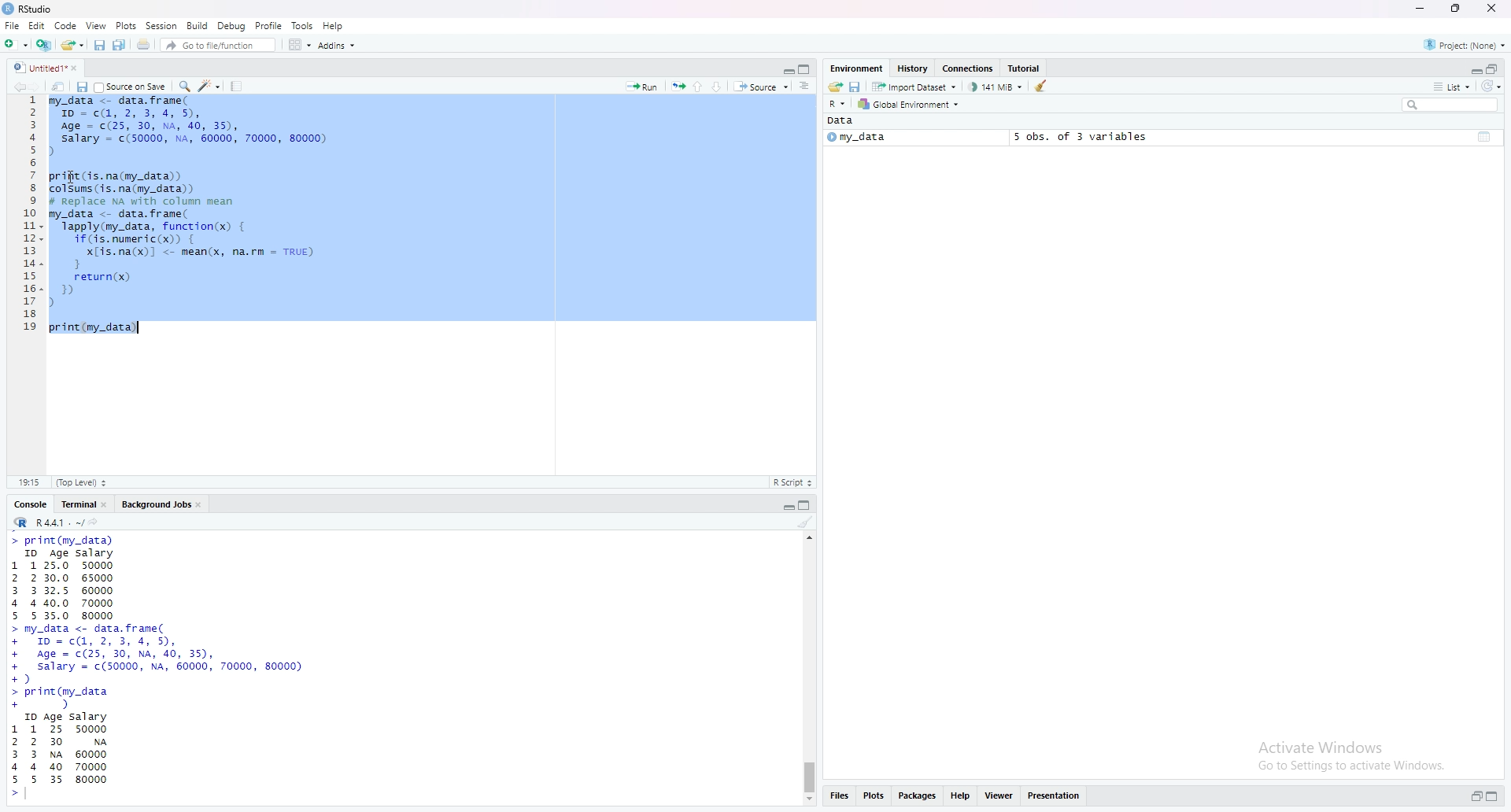 This screenshot has height=812, width=1511. I want to click on go forward, so click(36, 87).